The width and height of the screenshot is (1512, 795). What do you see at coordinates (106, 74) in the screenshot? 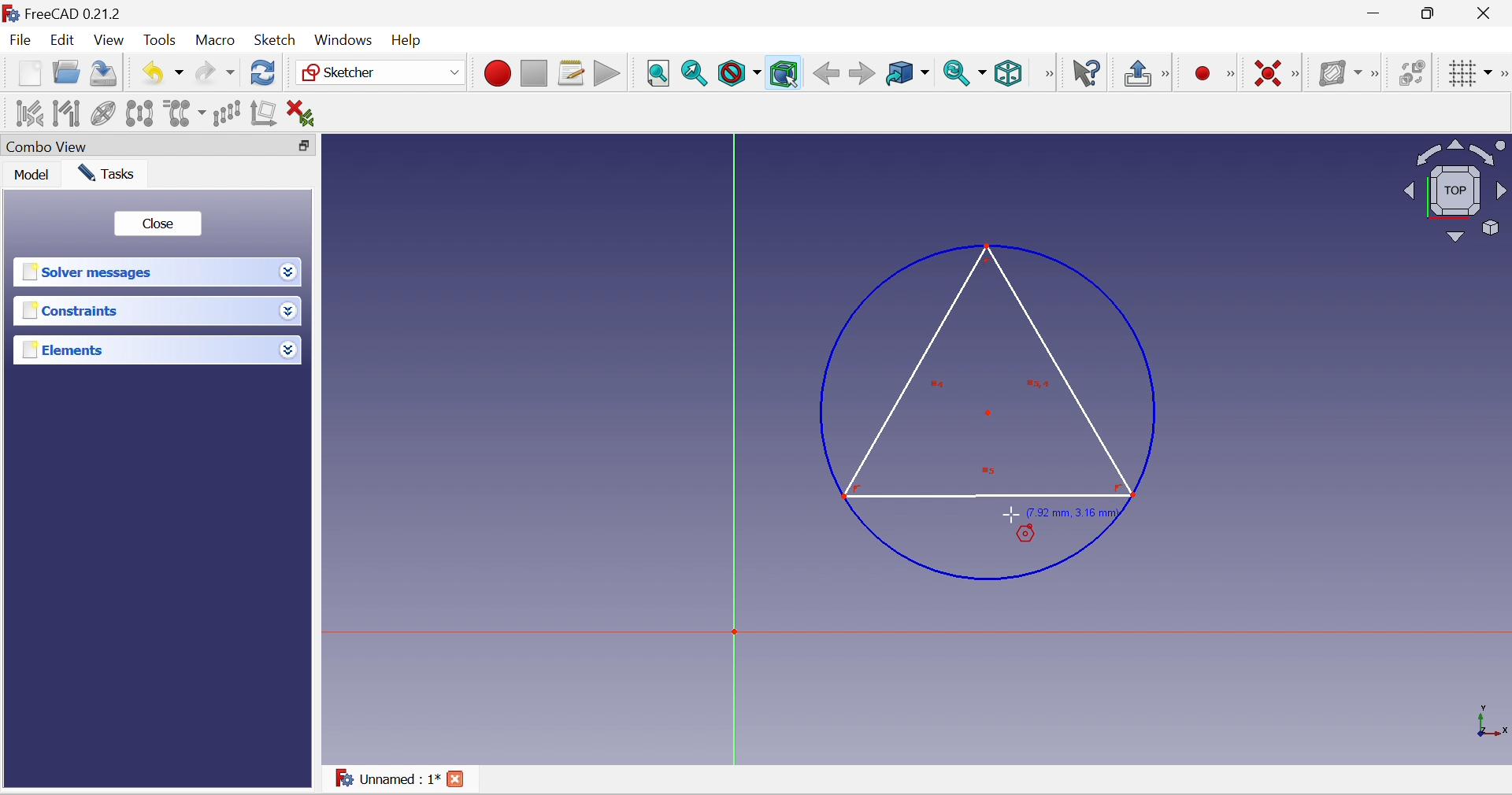
I see `Save` at bounding box center [106, 74].